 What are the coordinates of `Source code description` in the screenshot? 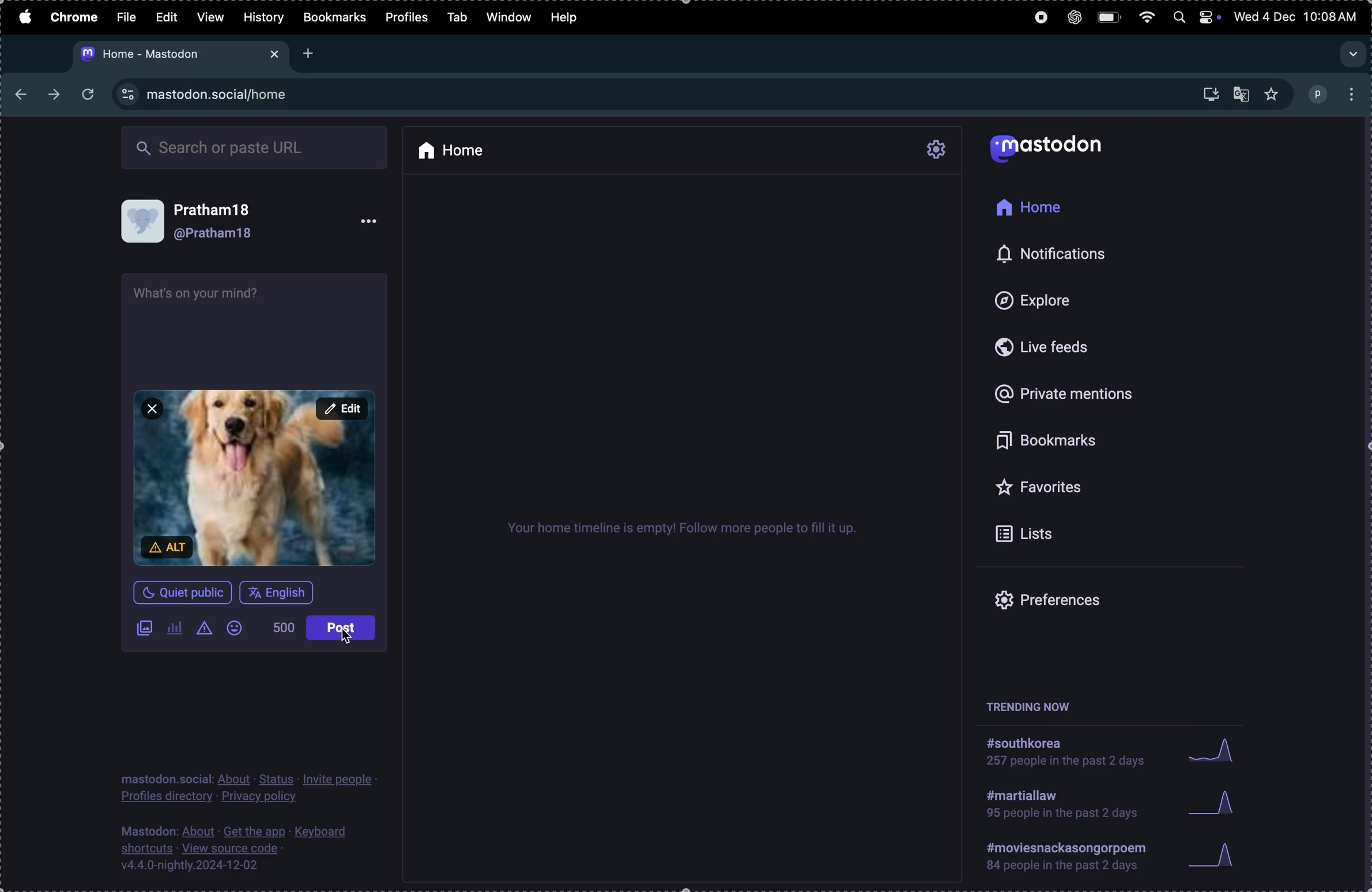 It's located at (239, 851).